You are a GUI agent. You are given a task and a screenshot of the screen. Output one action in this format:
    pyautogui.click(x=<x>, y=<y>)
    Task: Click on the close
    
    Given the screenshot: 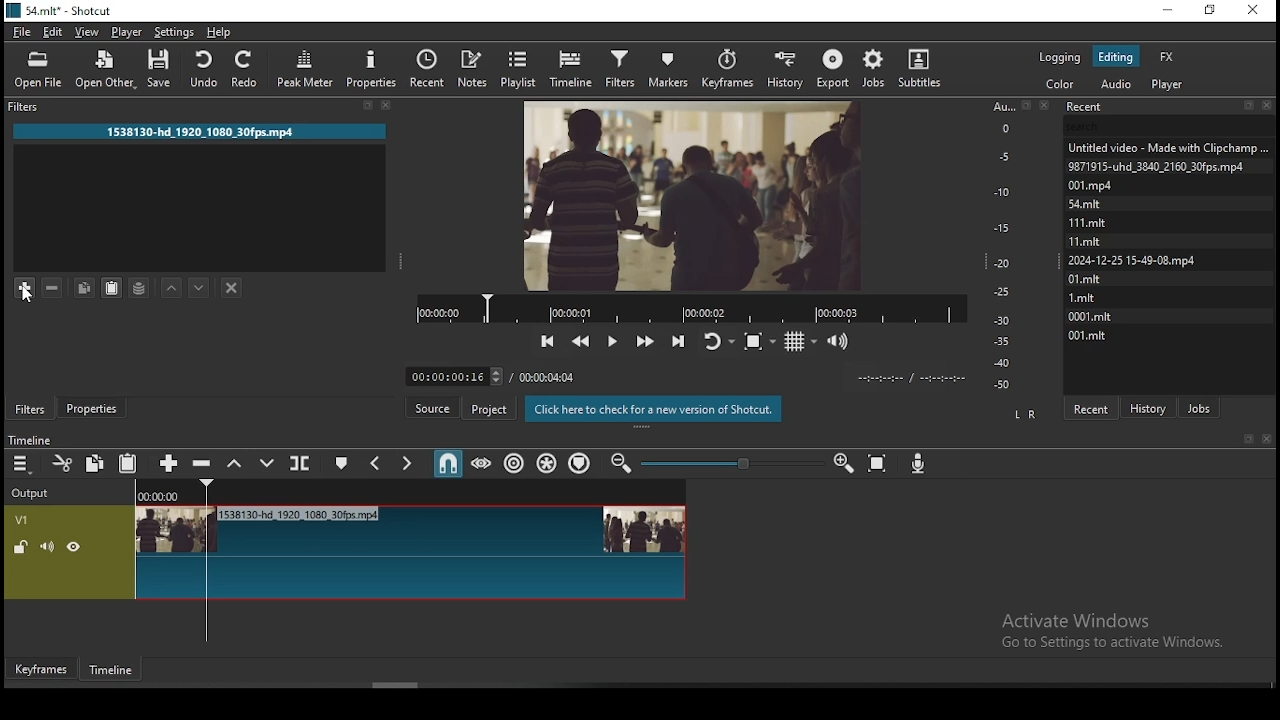 What is the action you would take?
    pyautogui.click(x=1267, y=440)
    